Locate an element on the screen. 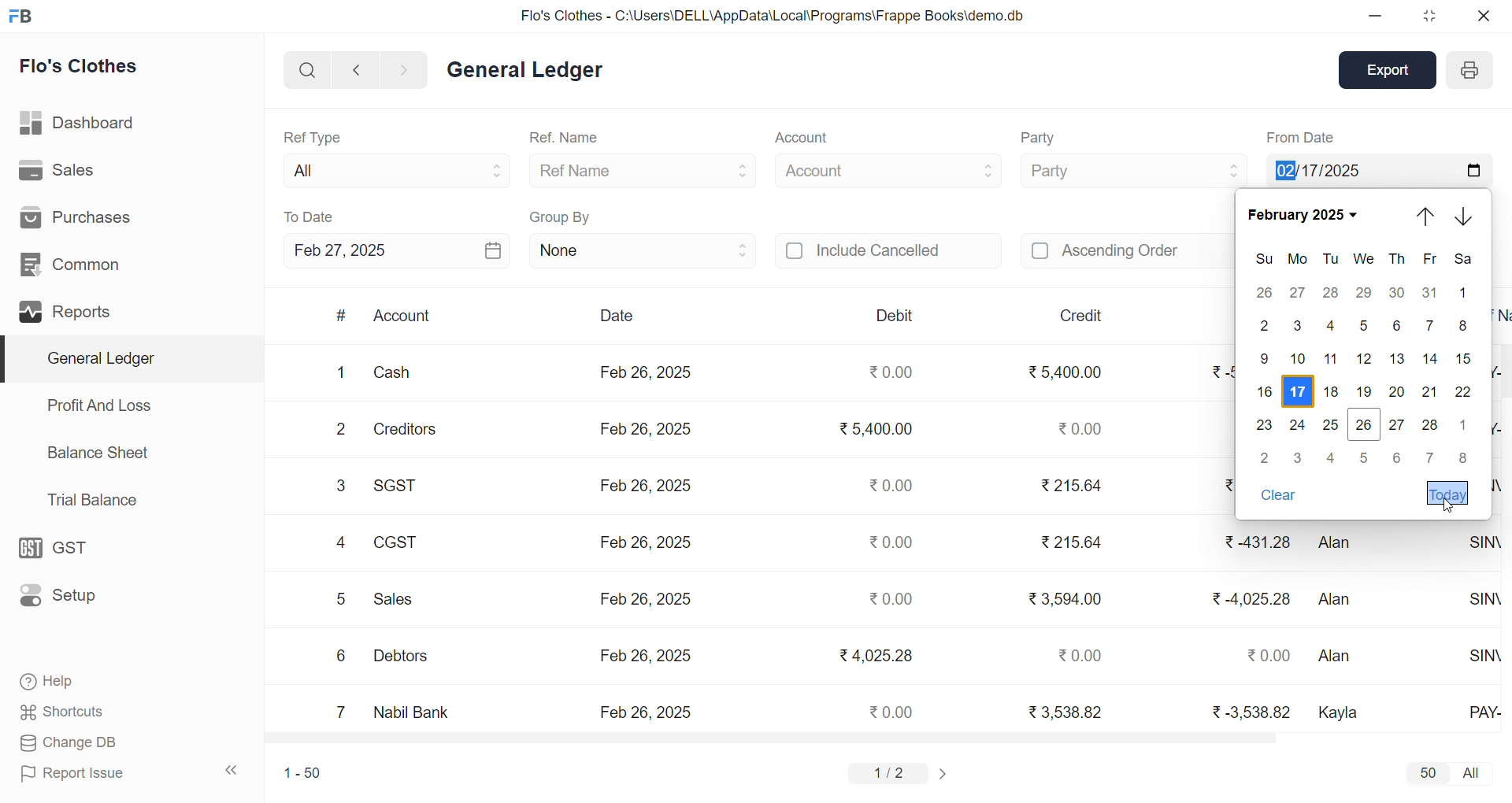 This screenshot has height=803, width=1512. HORIZONTAL SCROLL BAR is located at coordinates (871, 738).